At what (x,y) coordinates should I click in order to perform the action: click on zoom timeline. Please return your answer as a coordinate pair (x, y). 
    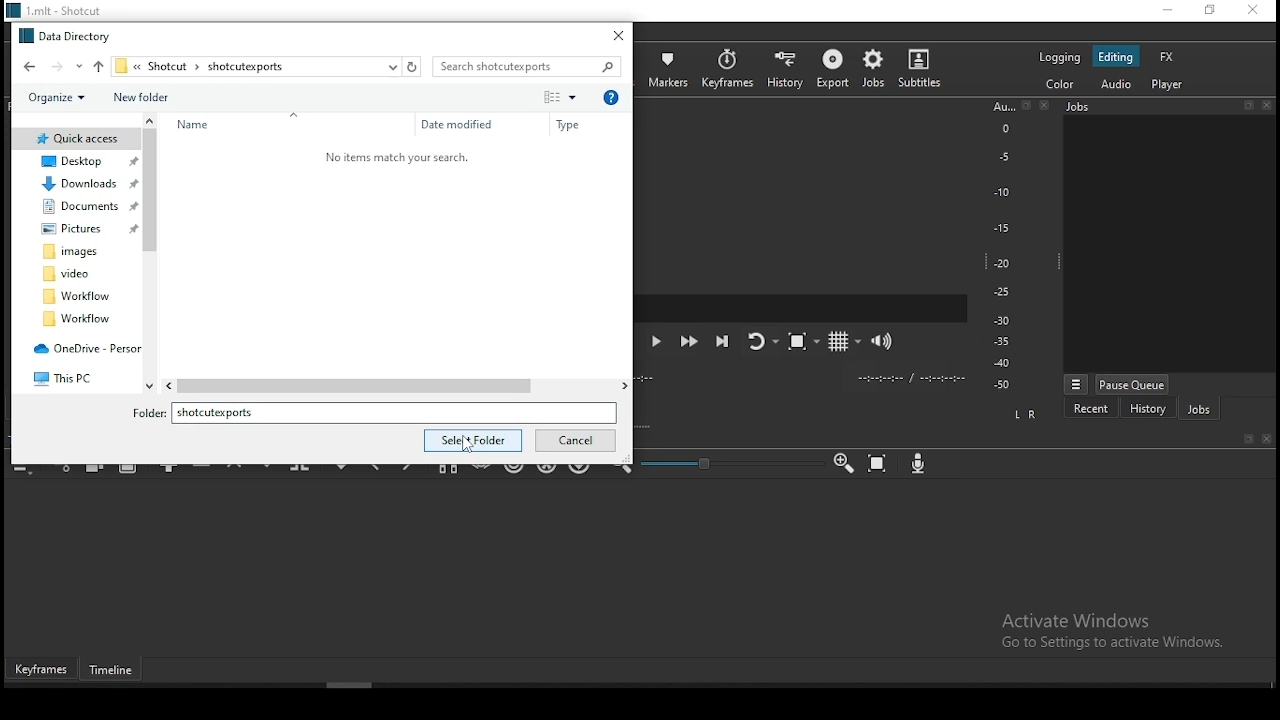
    Looking at the image, I should click on (843, 463).